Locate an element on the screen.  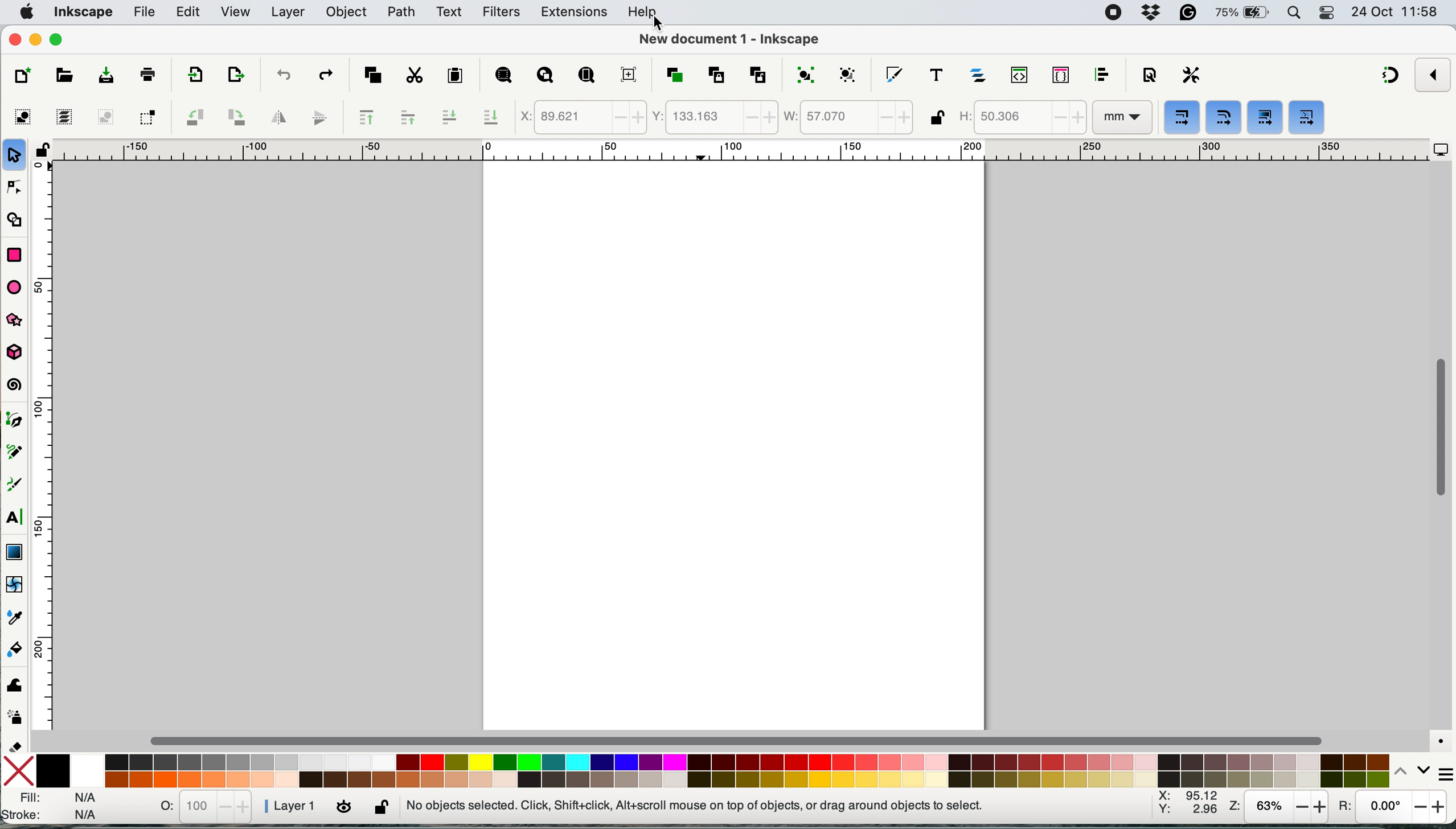
text and fonts is located at coordinates (932, 76).